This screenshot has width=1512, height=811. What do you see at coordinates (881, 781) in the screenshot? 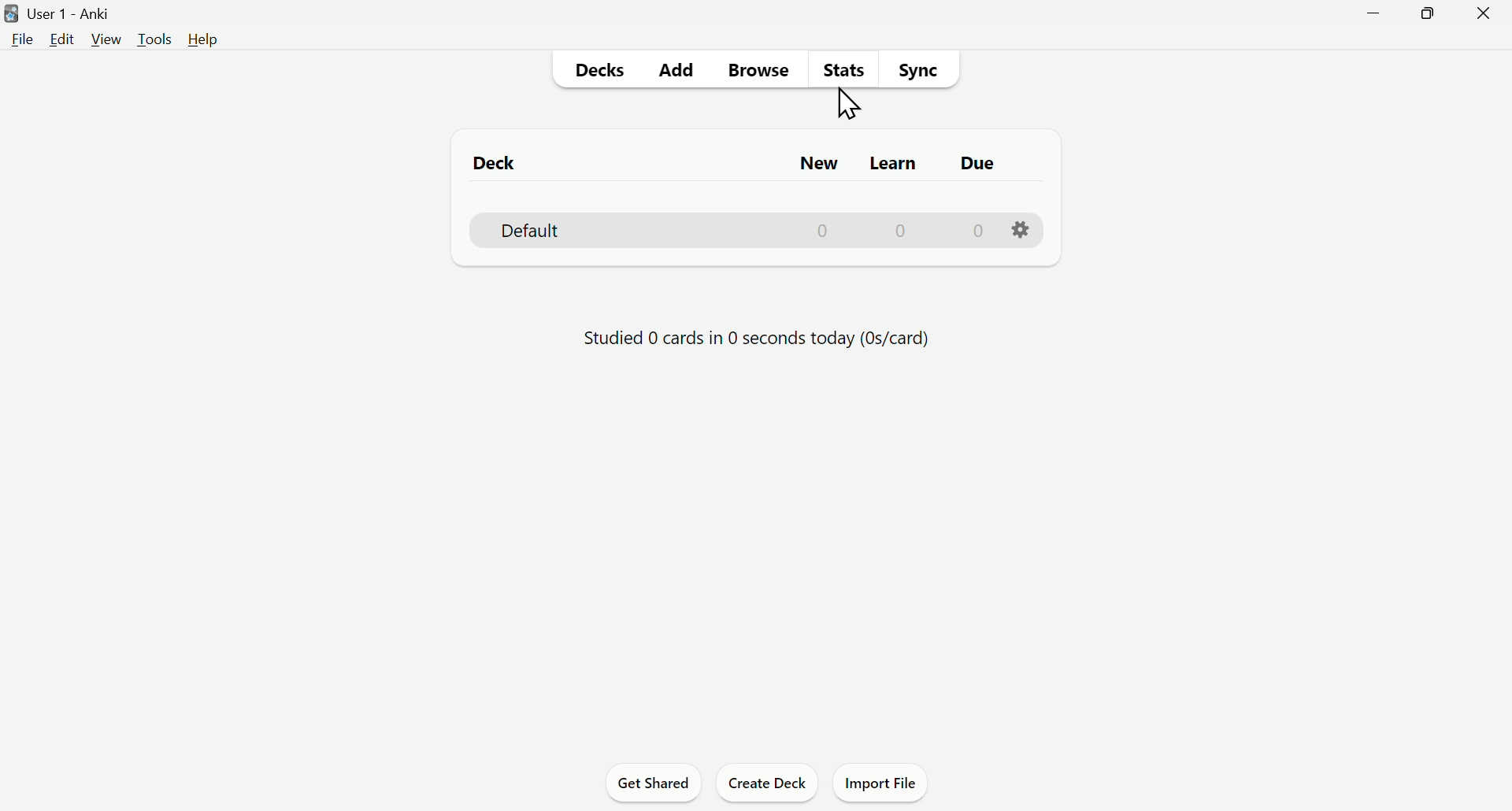
I see `Import File` at bounding box center [881, 781].